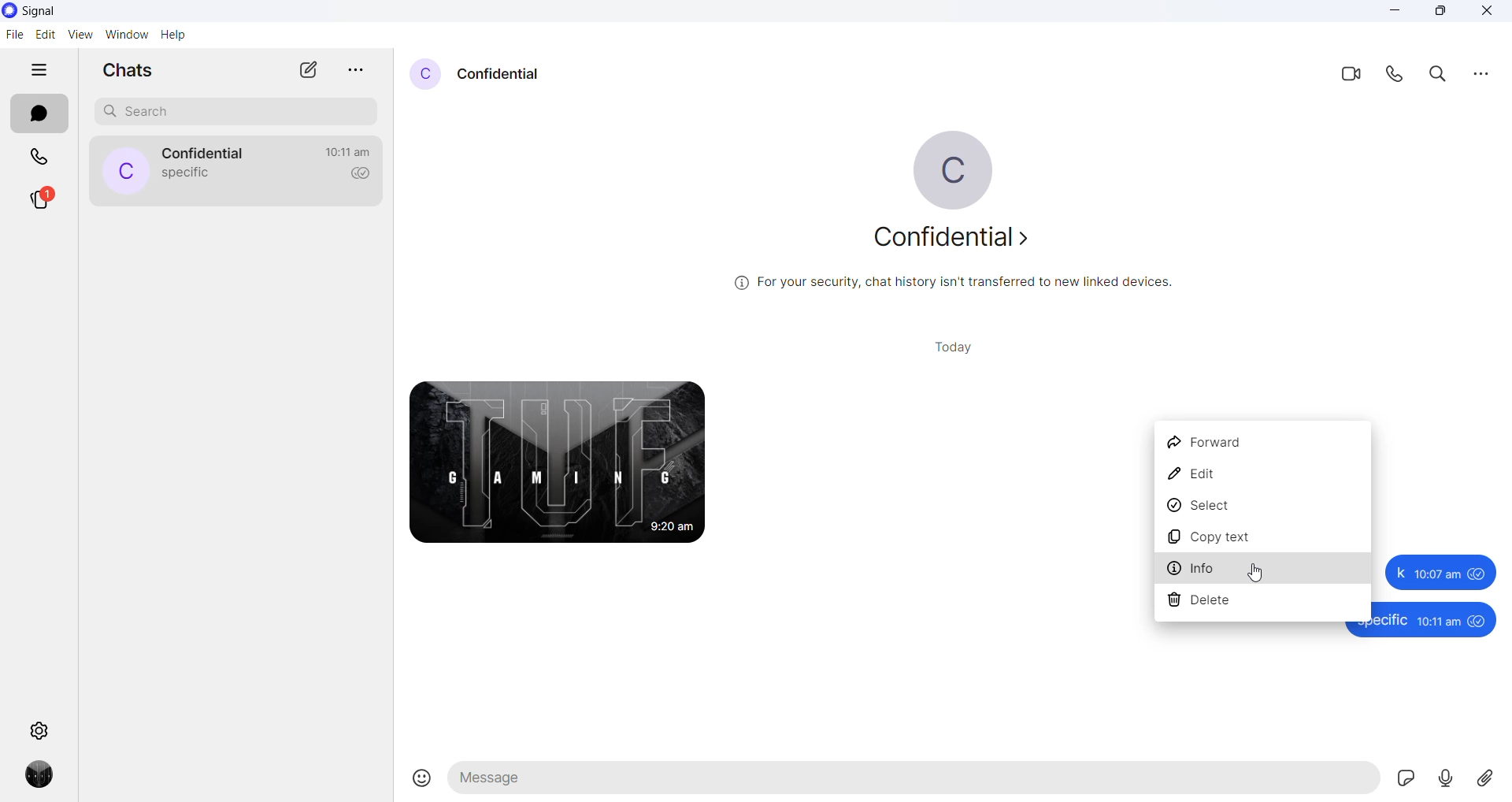  Describe the element at coordinates (124, 171) in the screenshot. I see `profile picture` at that location.